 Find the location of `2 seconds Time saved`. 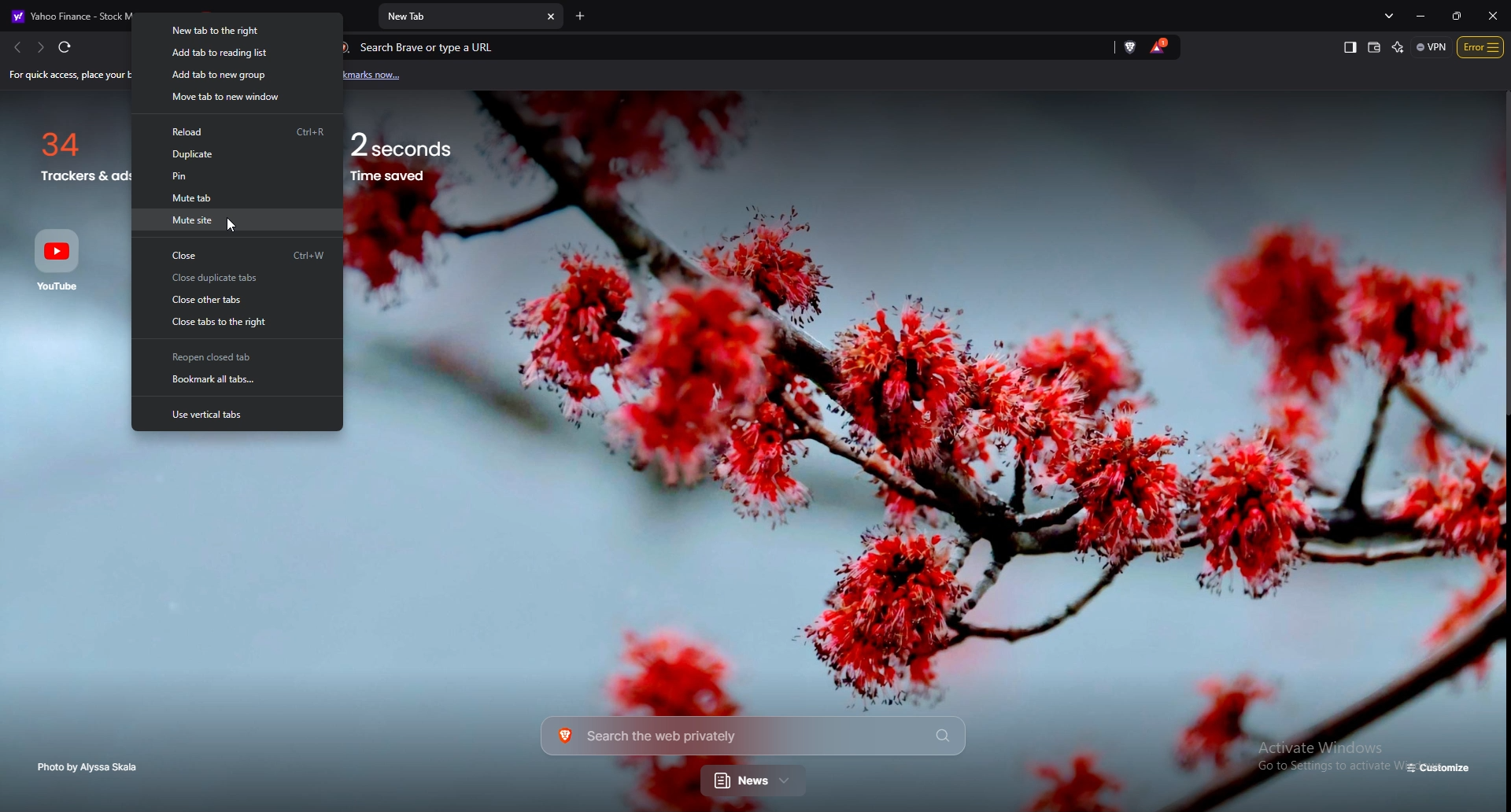

2 seconds Time saved is located at coordinates (423, 151).